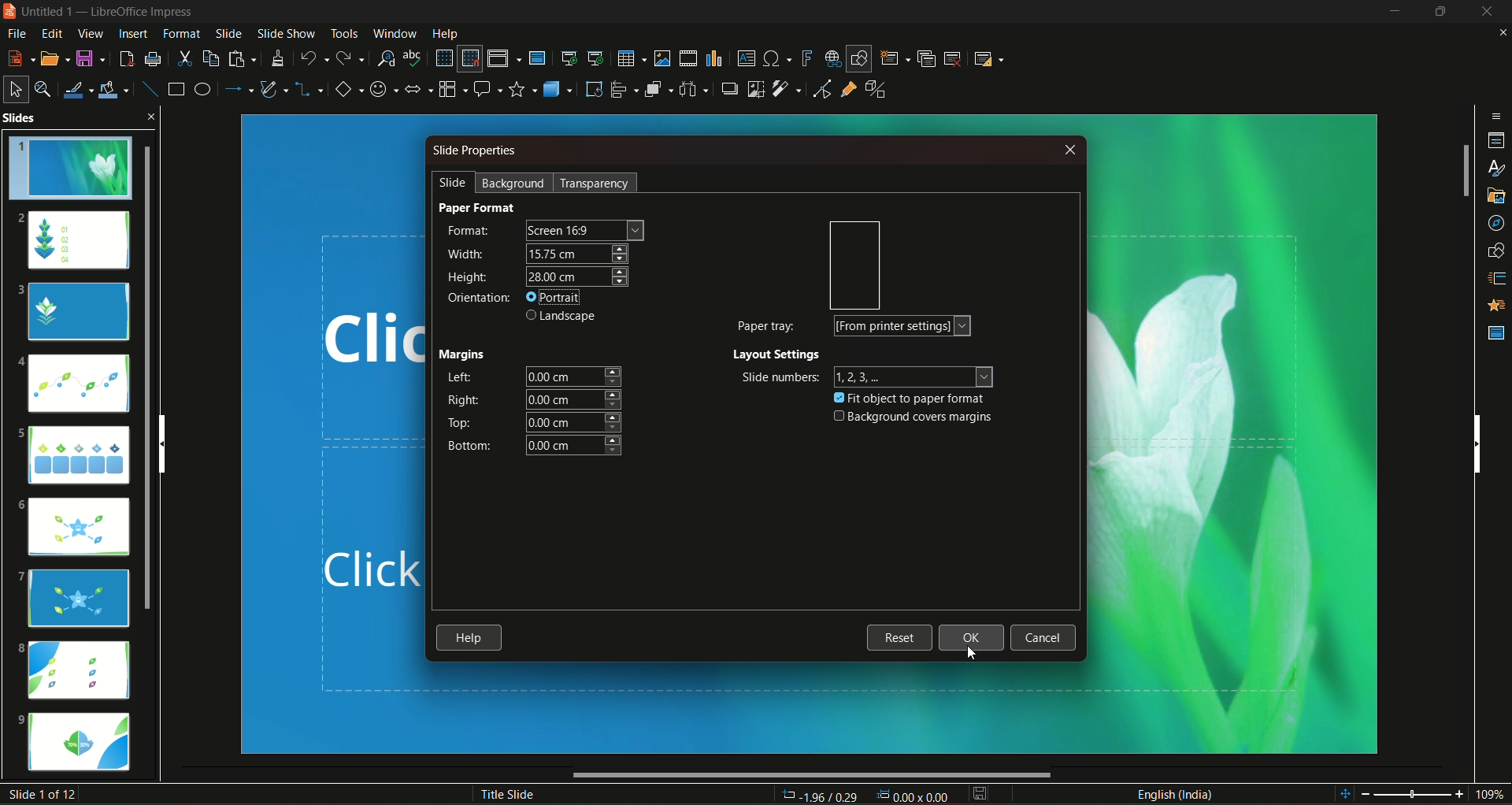 The width and height of the screenshot is (1512, 805). I want to click on vertical slide bar, so click(1464, 172).